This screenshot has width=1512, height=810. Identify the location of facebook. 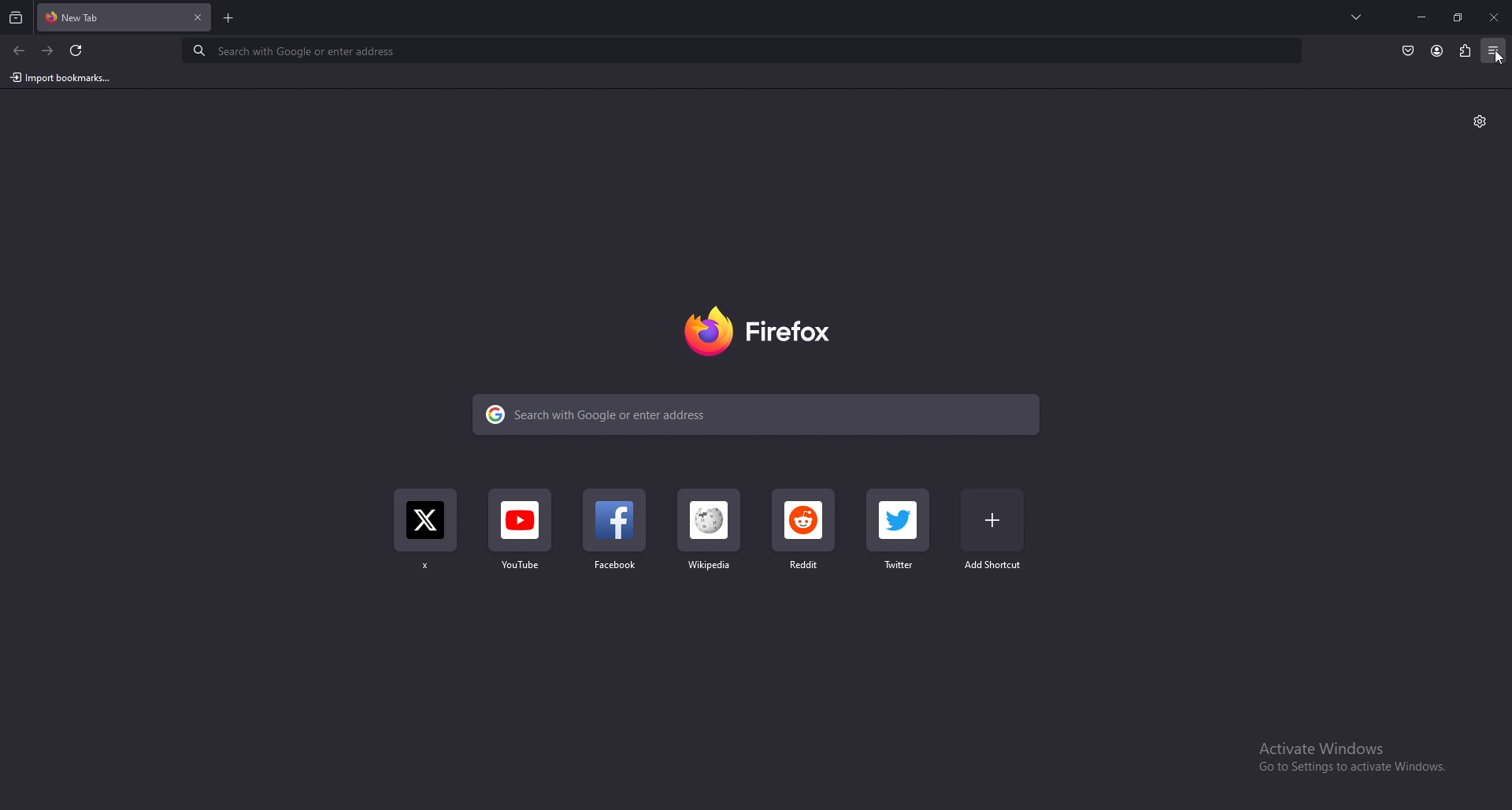
(615, 536).